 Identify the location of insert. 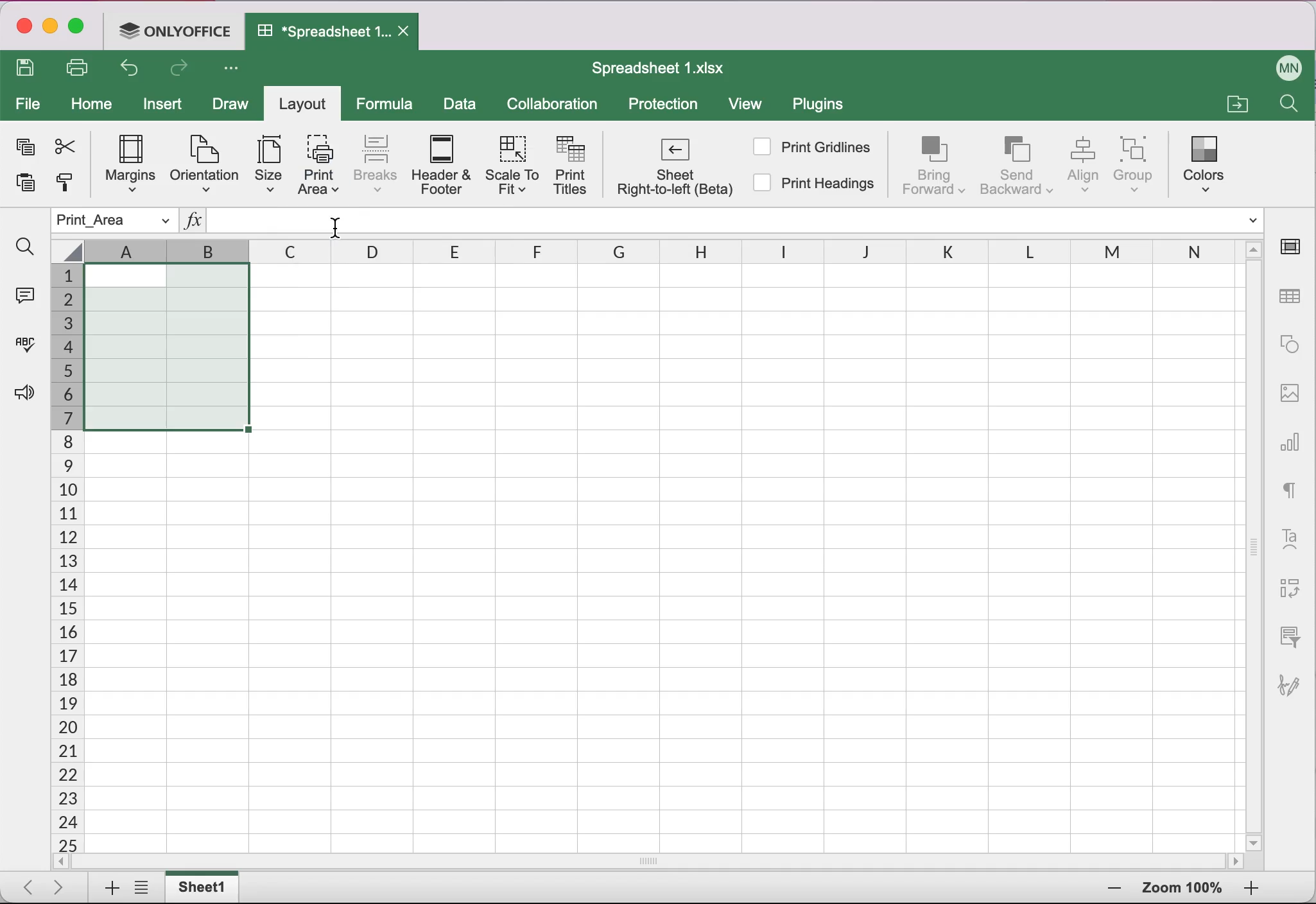
(166, 107).